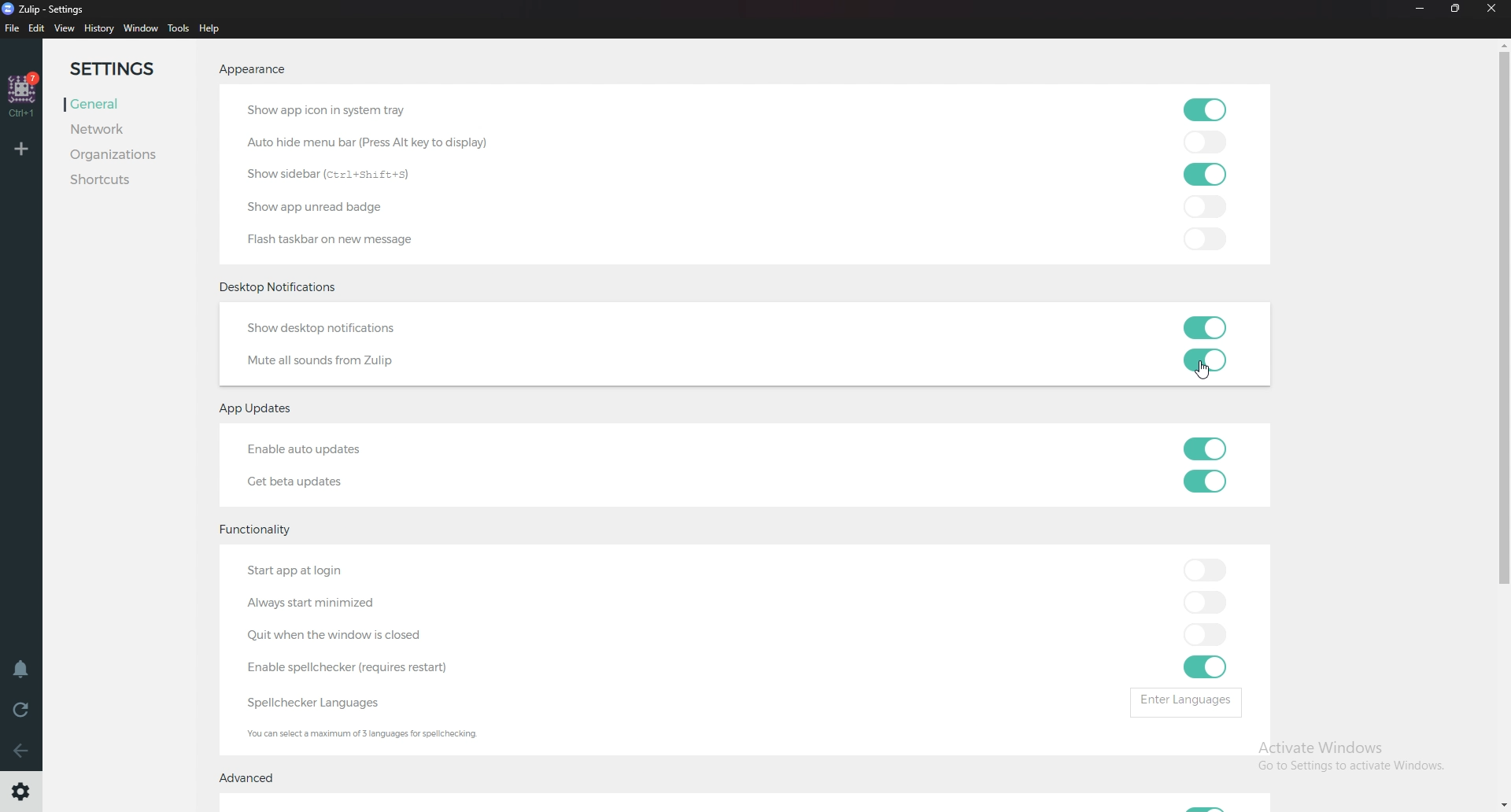 The image size is (1511, 812). I want to click on autohide menu bar, so click(375, 141).